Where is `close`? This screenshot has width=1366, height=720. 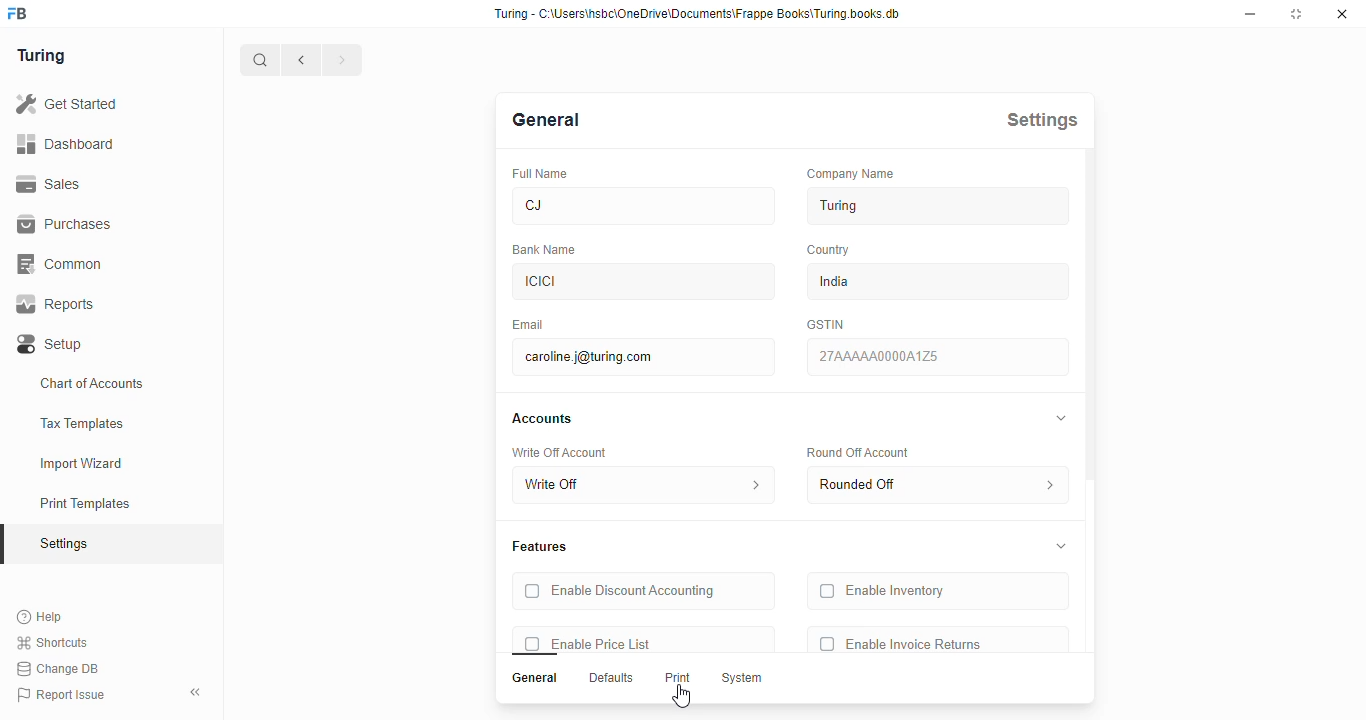 close is located at coordinates (1342, 14).